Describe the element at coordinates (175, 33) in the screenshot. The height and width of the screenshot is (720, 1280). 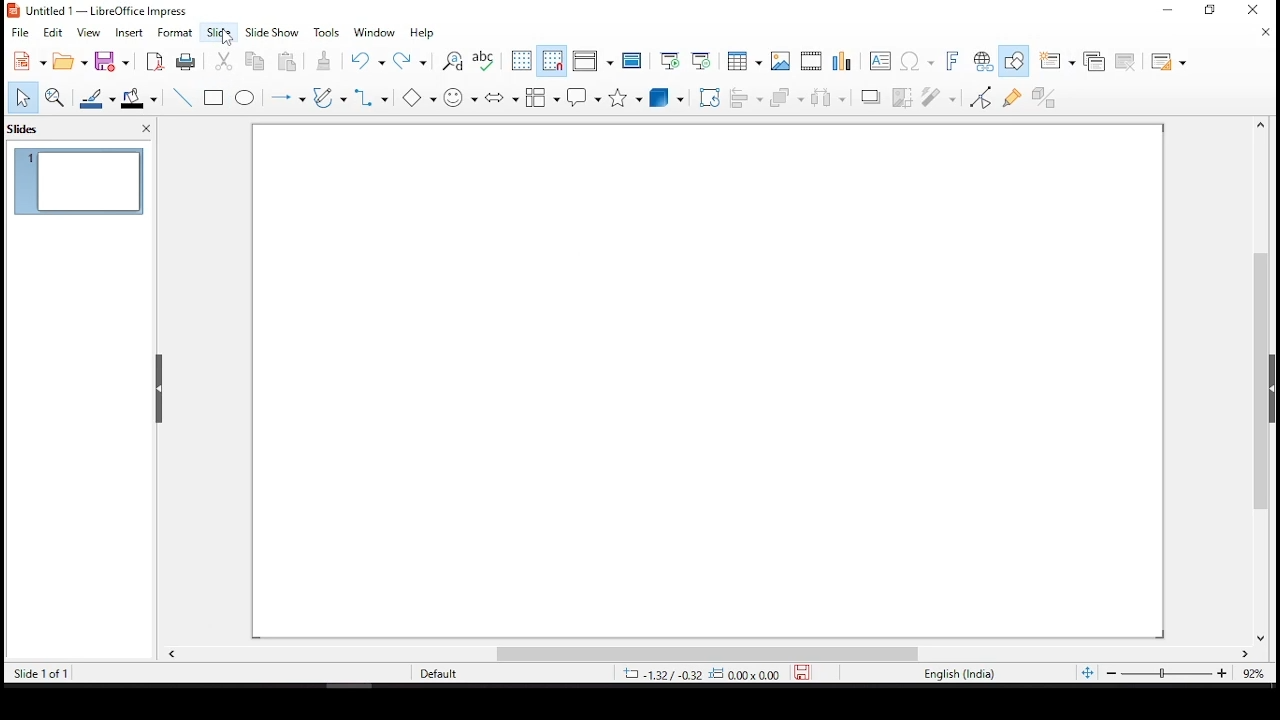
I see `format` at that location.